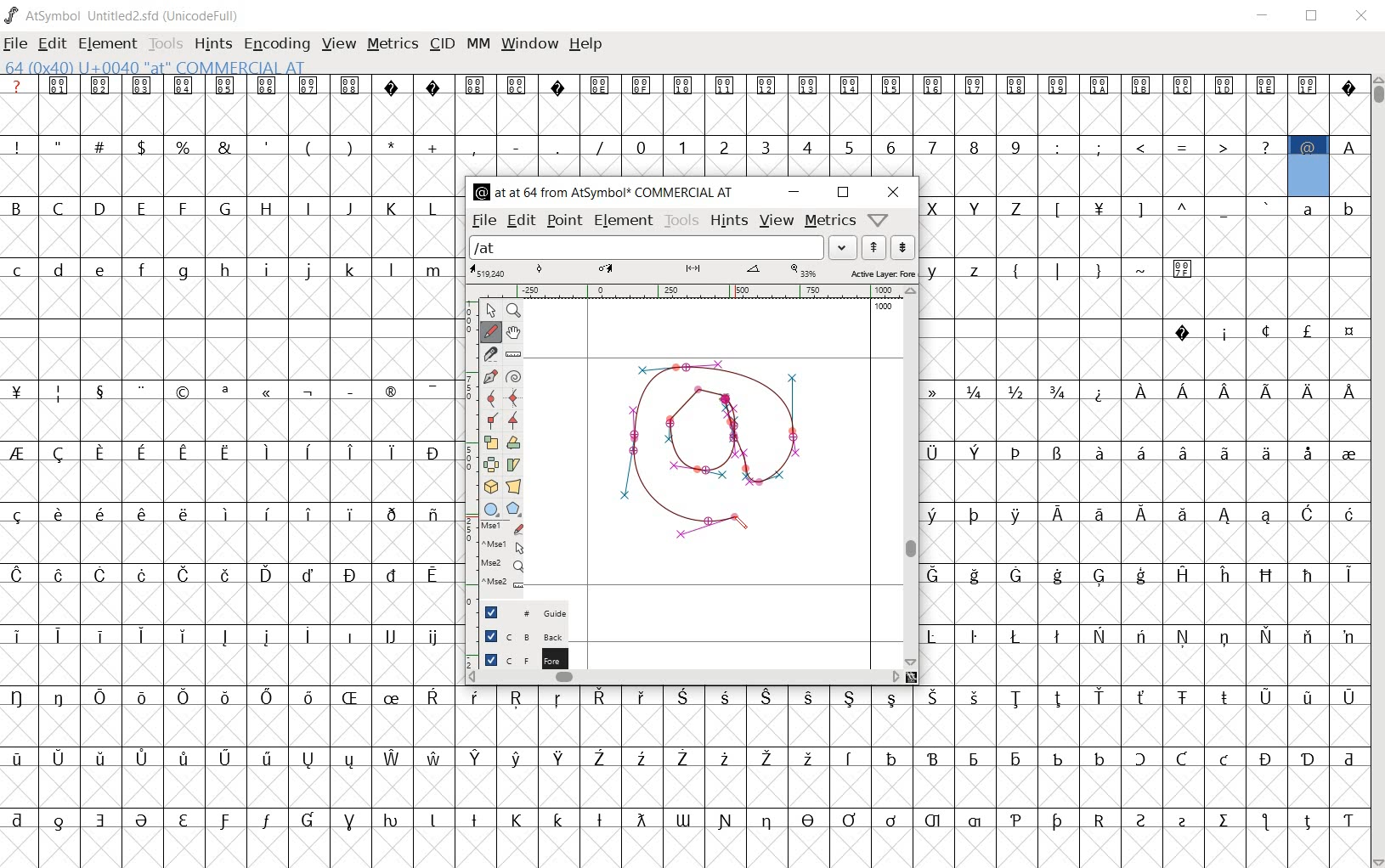  I want to click on hints, so click(729, 221).